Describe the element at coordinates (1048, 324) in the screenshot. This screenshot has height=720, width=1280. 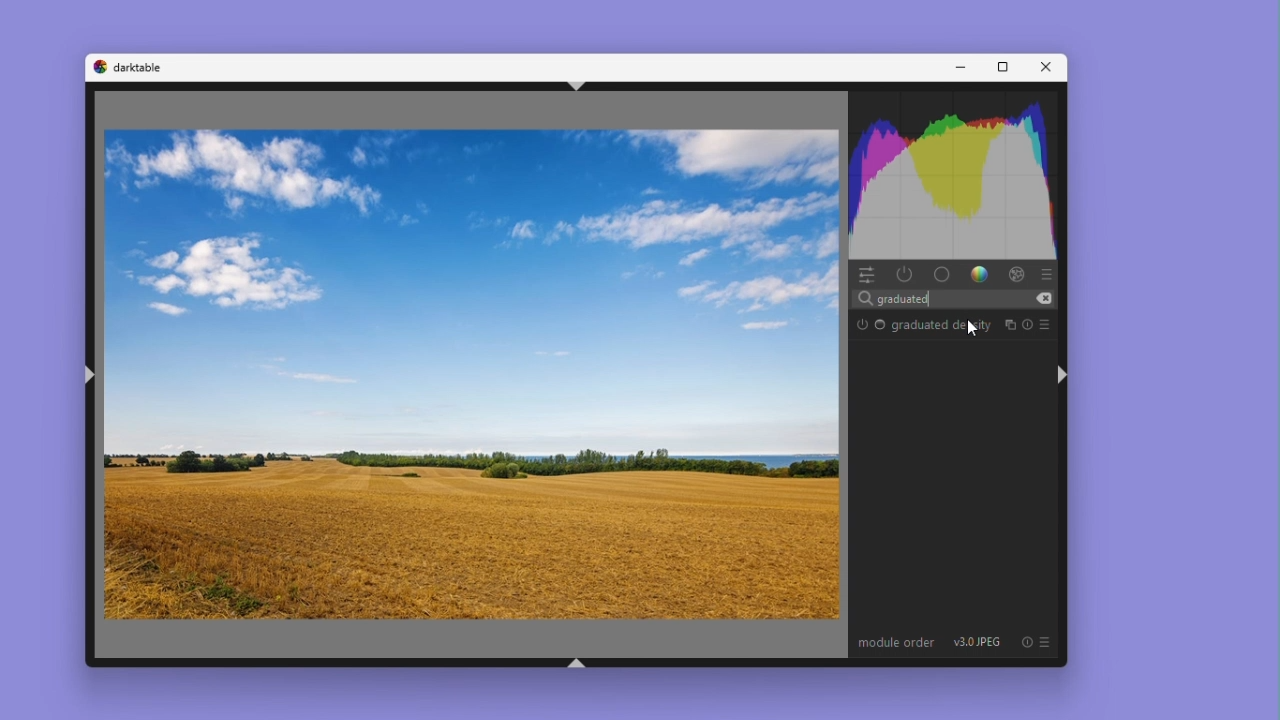
I see `preset` at that location.